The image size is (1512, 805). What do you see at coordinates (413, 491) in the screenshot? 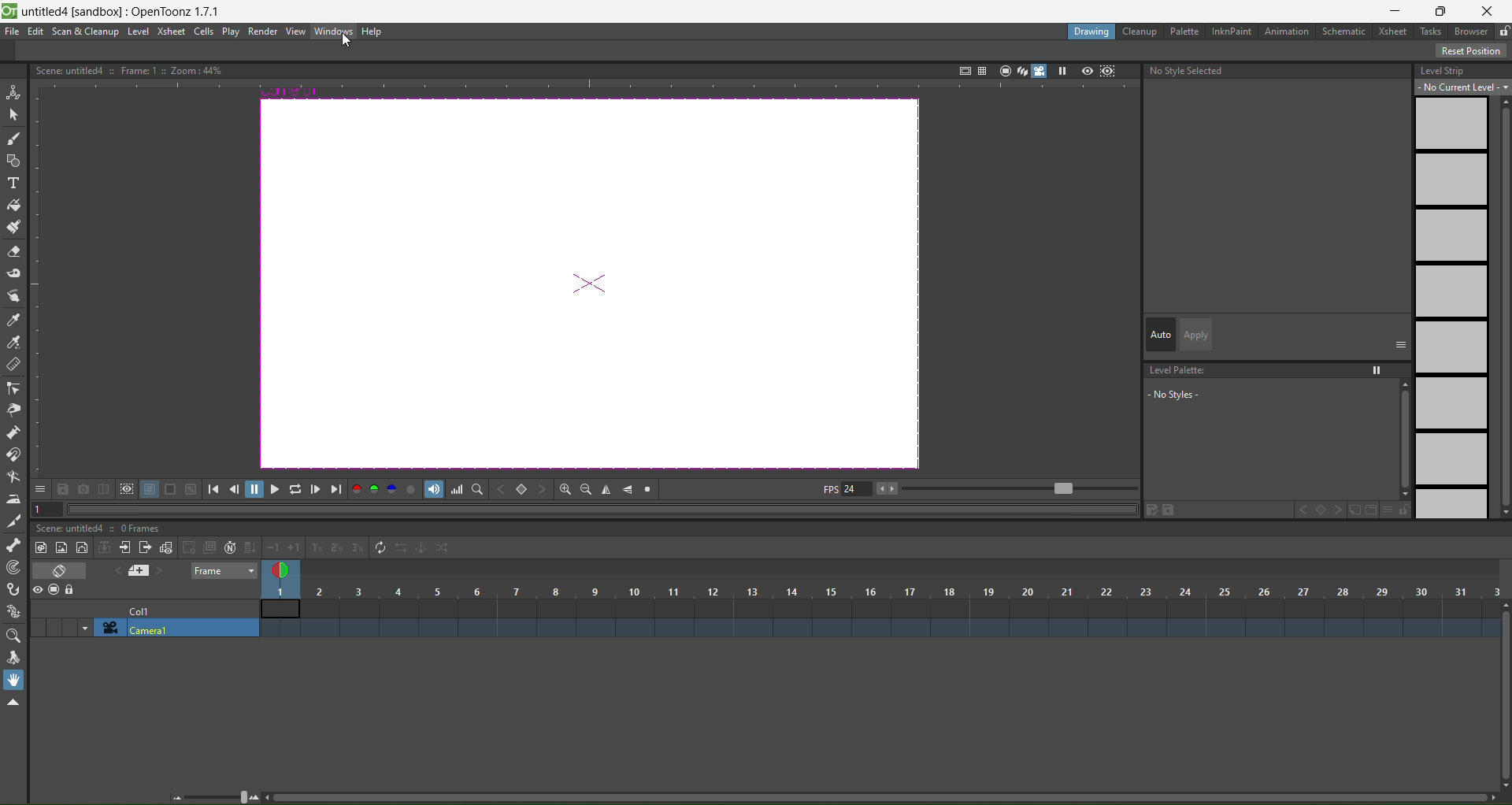
I see `channel` at bounding box center [413, 491].